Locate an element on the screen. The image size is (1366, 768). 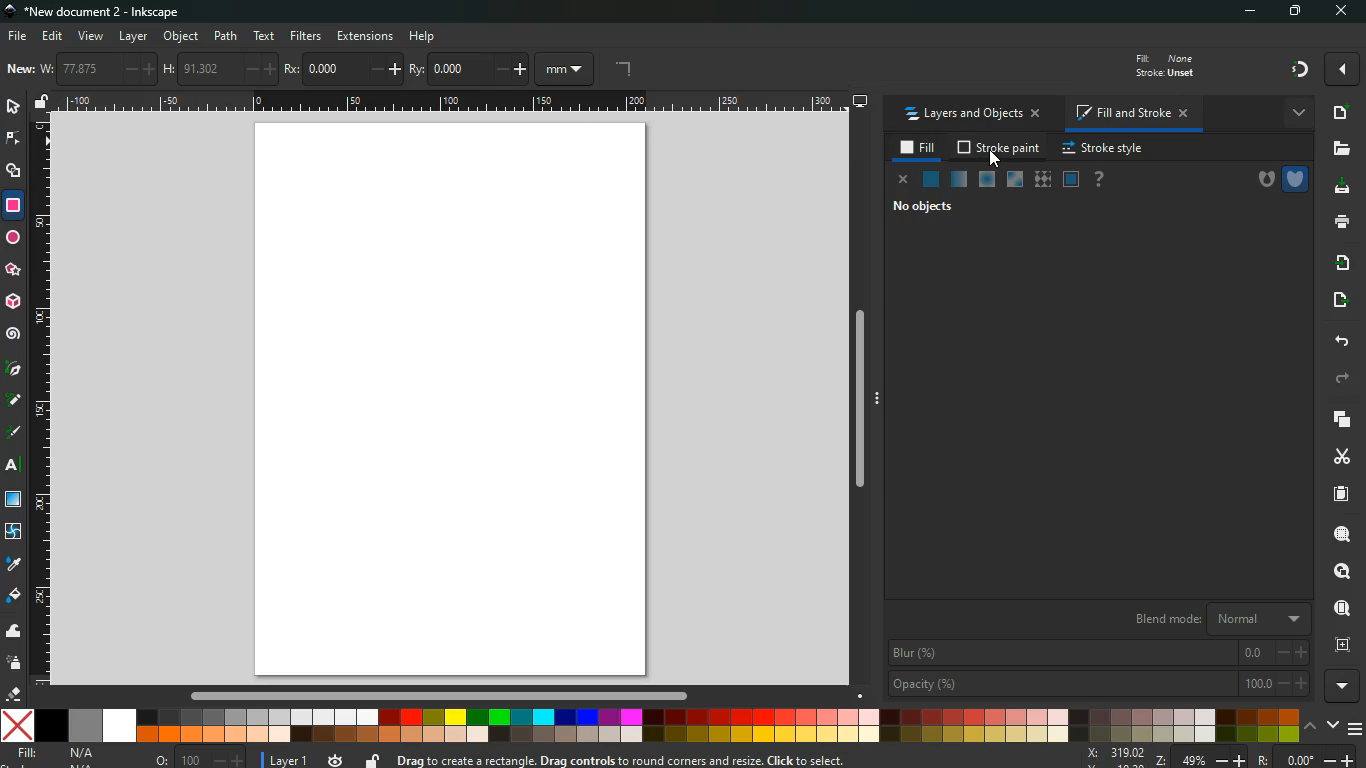
3d tool is located at coordinates (14, 303).